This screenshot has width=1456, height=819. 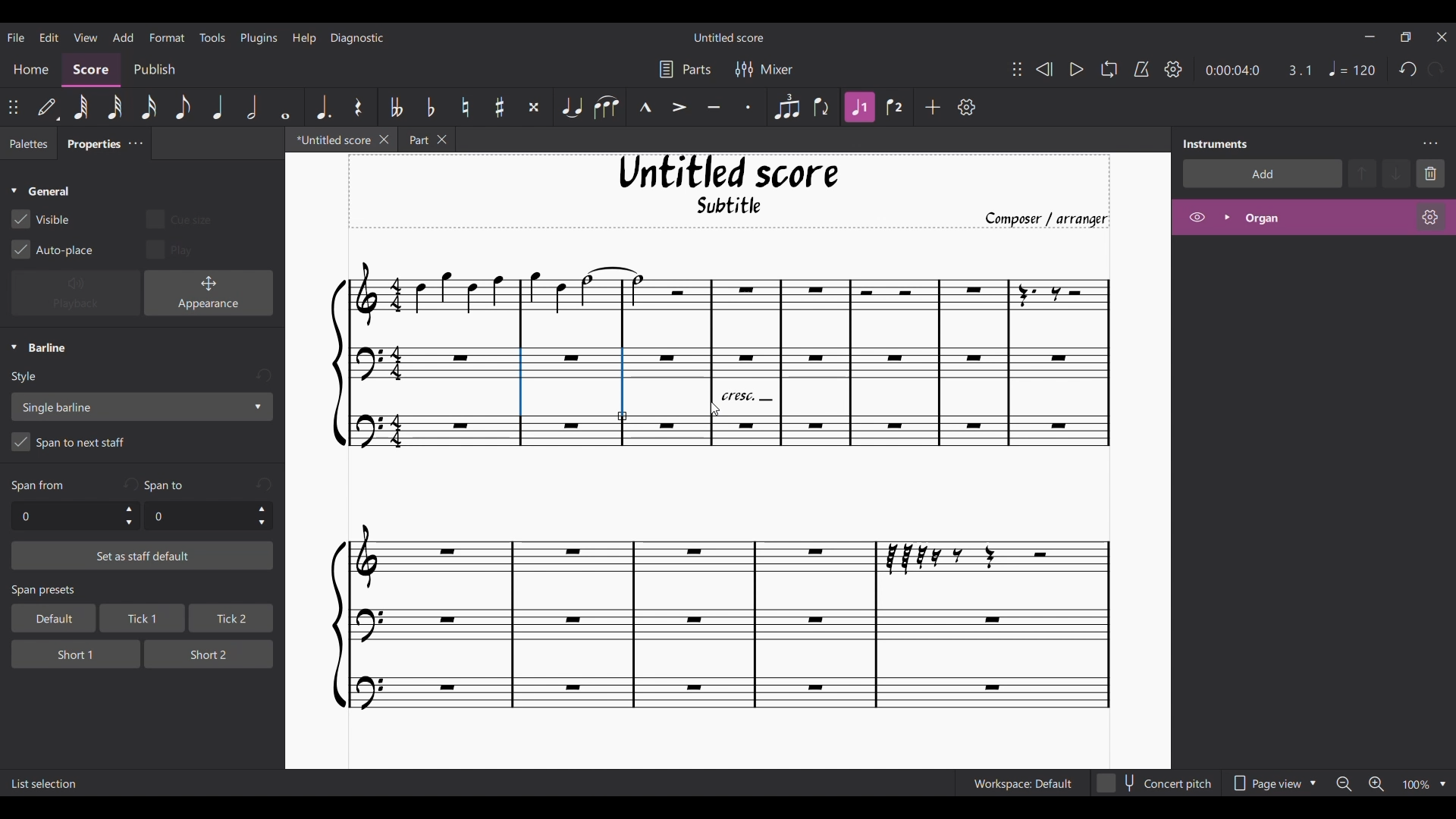 What do you see at coordinates (14, 107) in the screenshot?
I see `Change position of toolbar attached` at bounding box center [14, 107].